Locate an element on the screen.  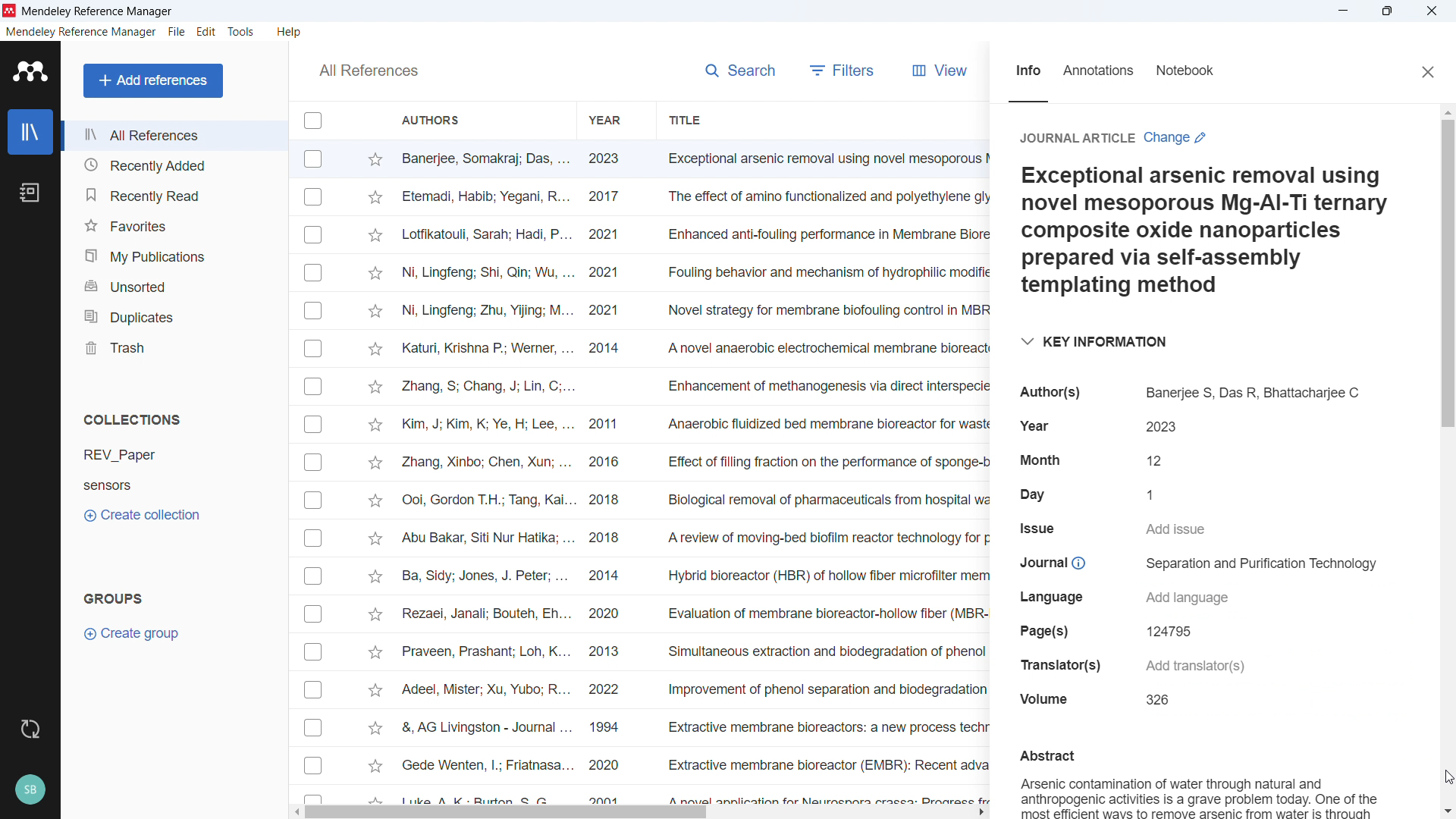
Click to starmark individual entries  is located at coordinates (374, 158).